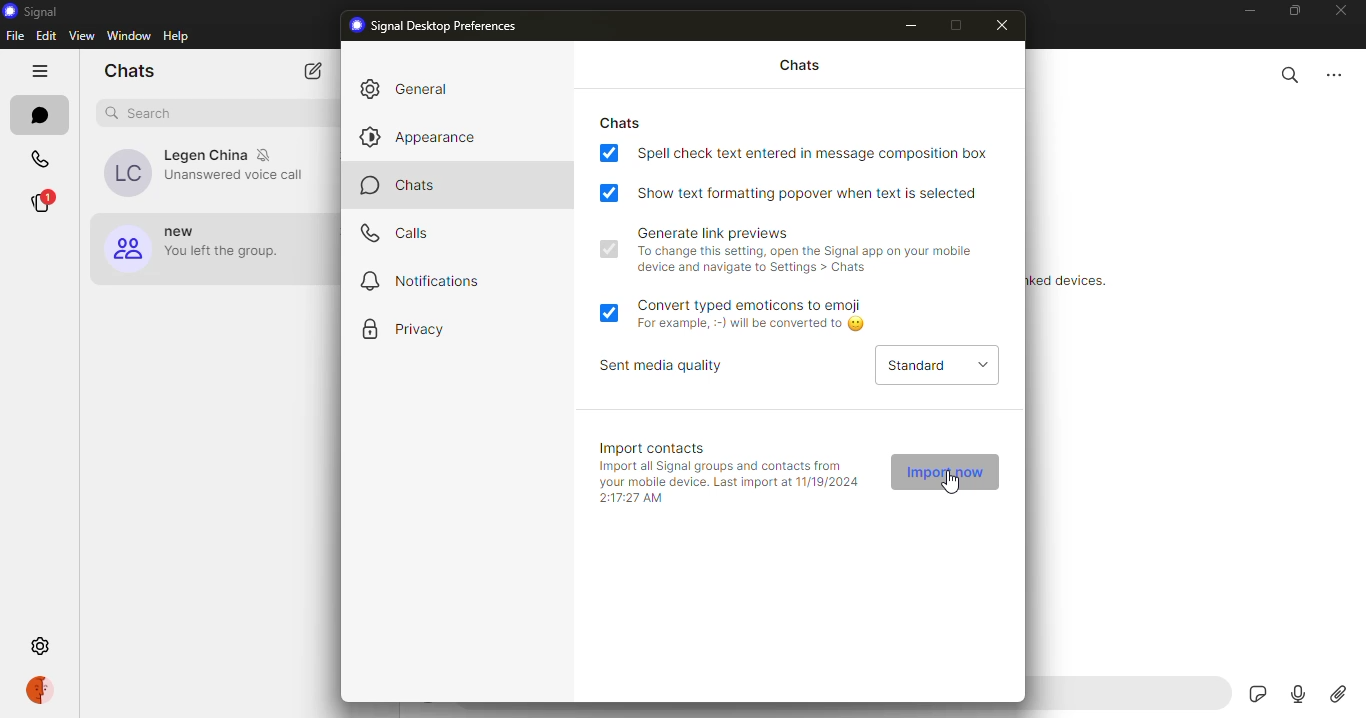  I want to click on close, so click(1006, 25).